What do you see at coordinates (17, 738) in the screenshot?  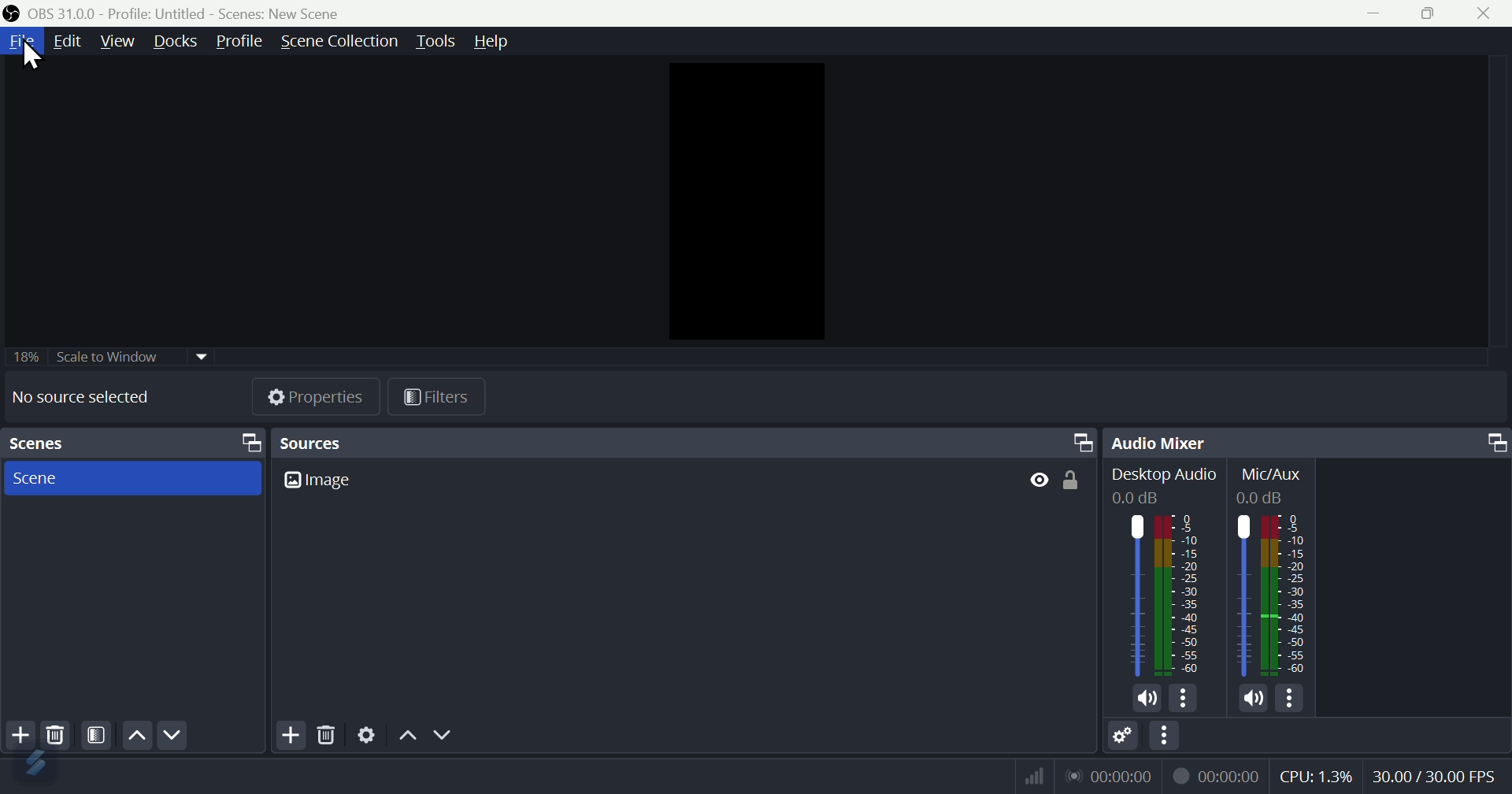 I see `Add` at bounding box center [17, 738].